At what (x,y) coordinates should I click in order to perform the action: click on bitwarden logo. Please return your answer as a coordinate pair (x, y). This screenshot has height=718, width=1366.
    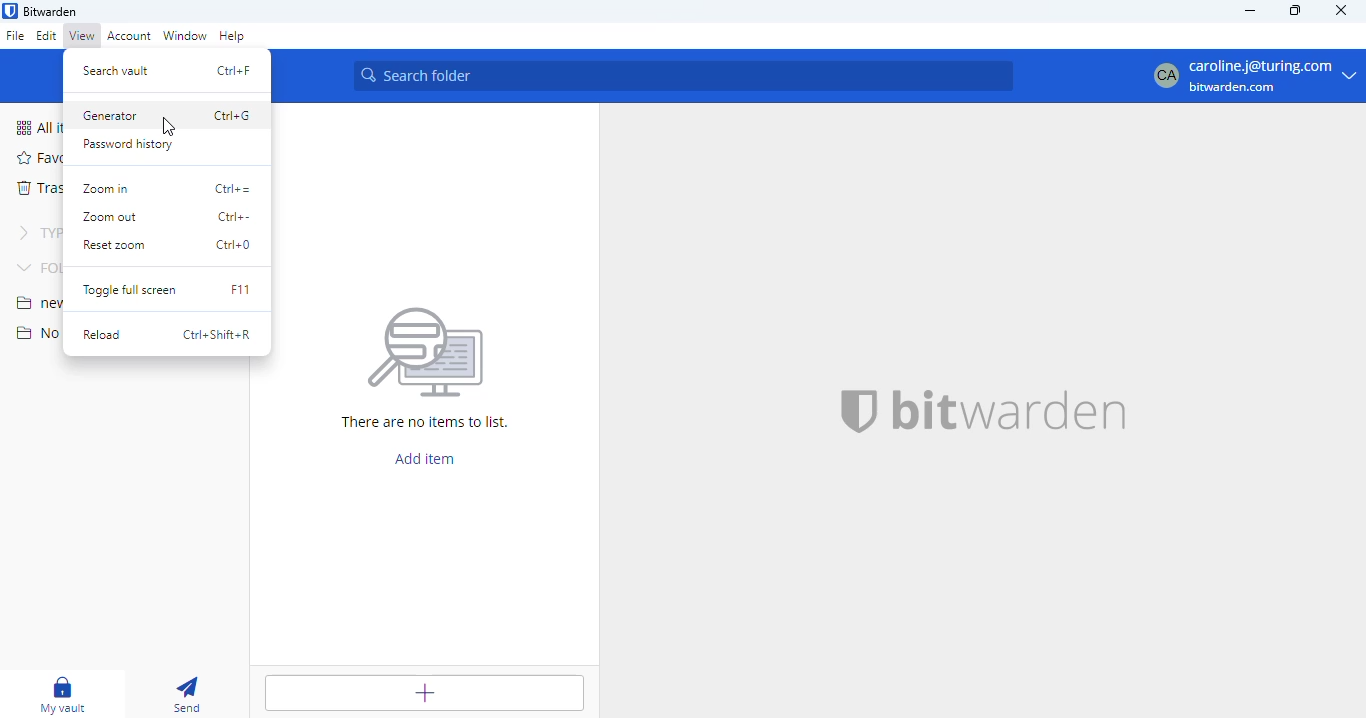
    Looking at the image, I should click on (859, 413).